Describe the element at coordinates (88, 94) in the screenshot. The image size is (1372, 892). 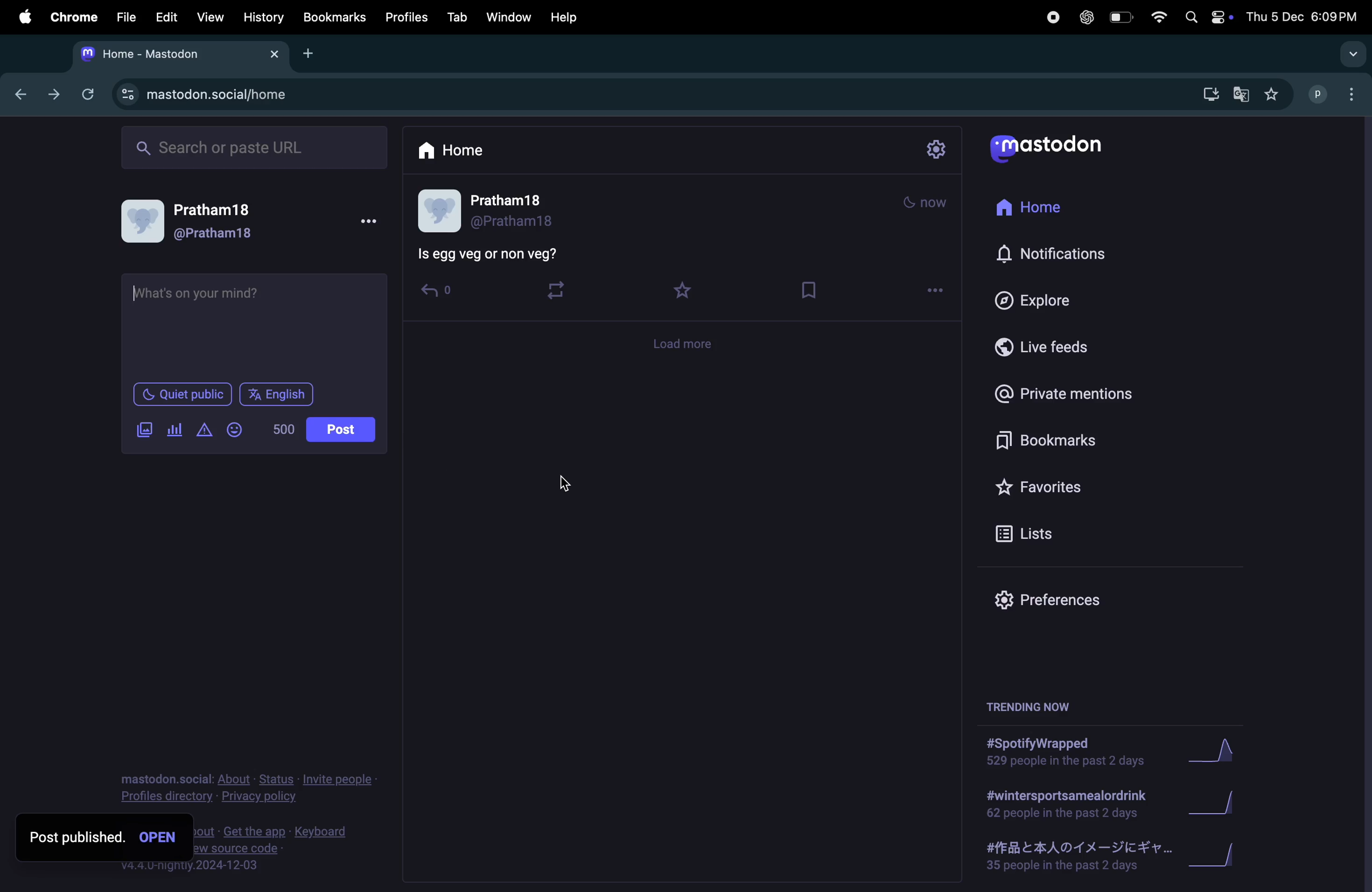
I see `refresh` at that location.